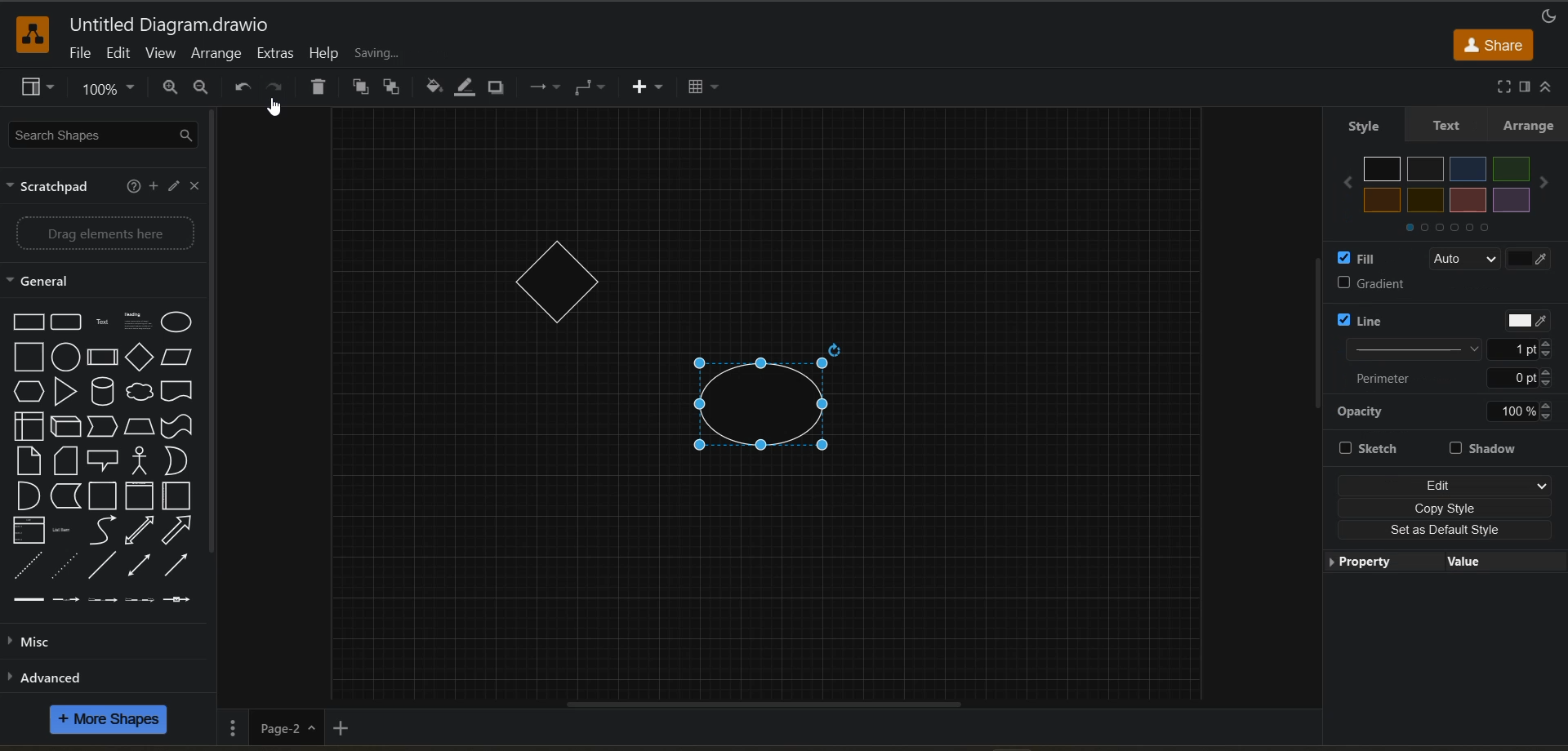 The width and height of the screenshot is (1568, 751). What do you see at coordinates (1524, 91) in the screenshot?
I see `format` at bounding box center [1524, 91].